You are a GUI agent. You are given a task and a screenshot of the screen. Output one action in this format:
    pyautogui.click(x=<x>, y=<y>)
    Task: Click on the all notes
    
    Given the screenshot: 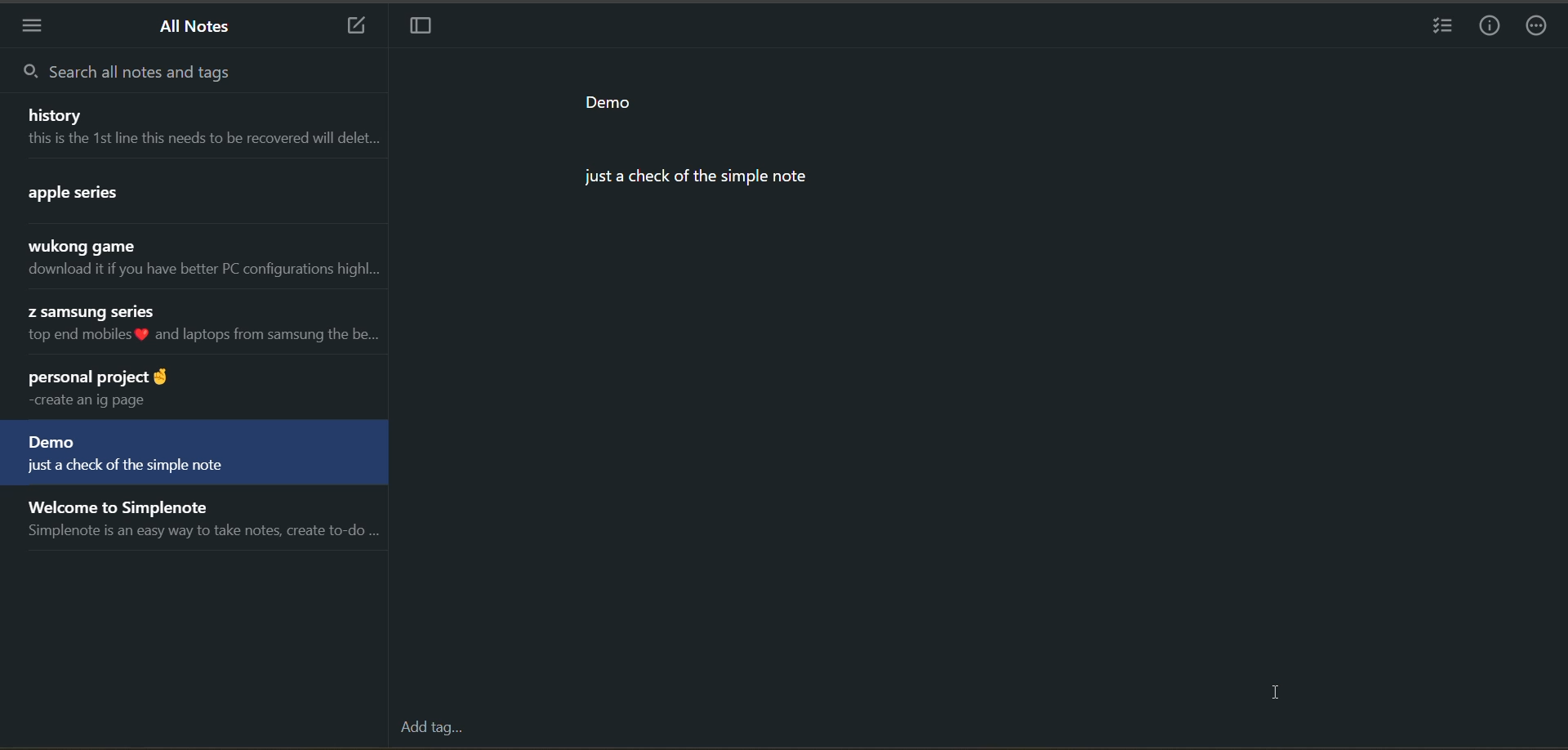 What is the action you would take?
    pyautogui.click(x=199, y=28)
    